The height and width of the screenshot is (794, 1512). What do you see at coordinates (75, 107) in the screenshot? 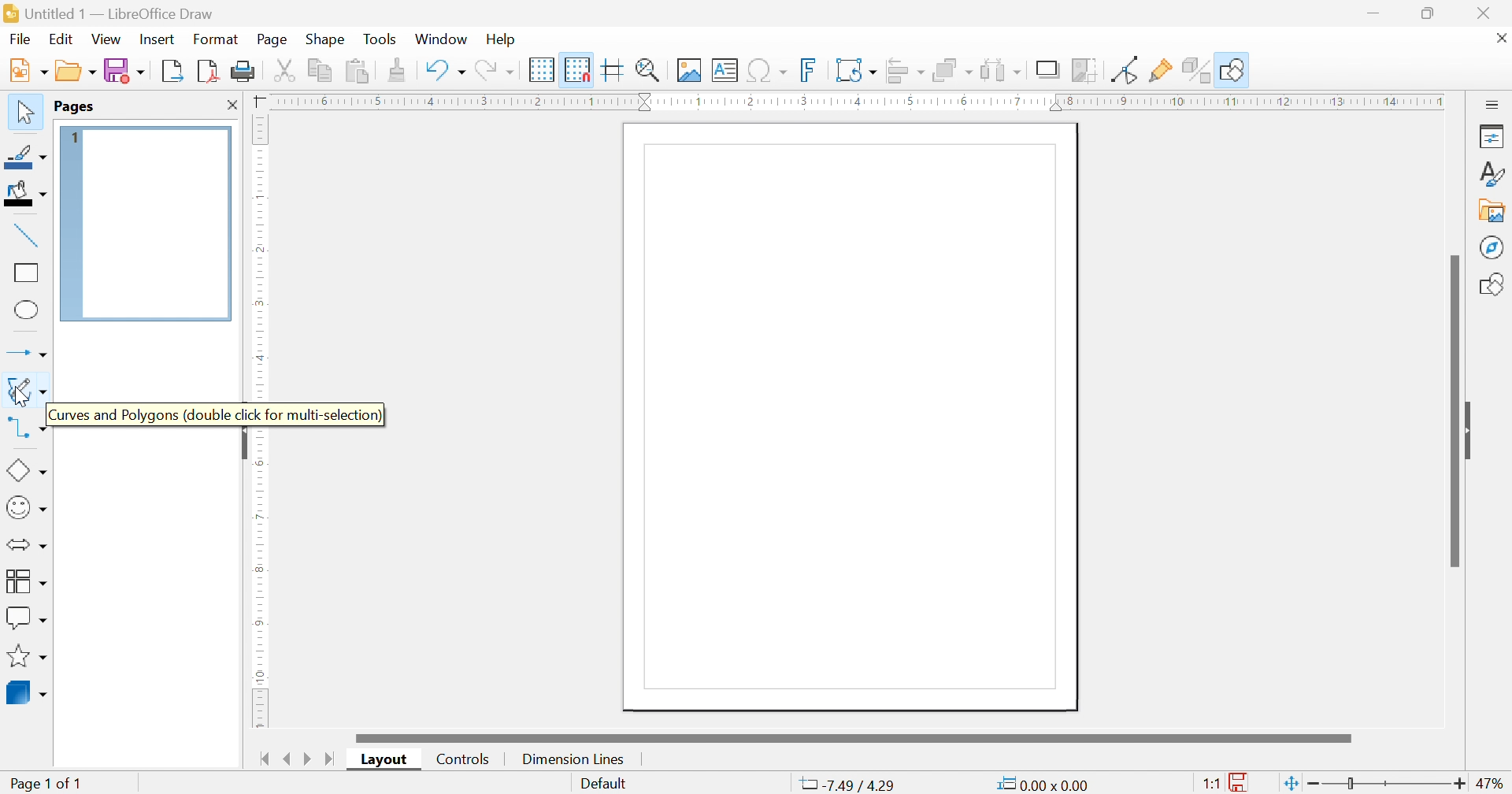
I see `pages` at bounding box center [75, 107].